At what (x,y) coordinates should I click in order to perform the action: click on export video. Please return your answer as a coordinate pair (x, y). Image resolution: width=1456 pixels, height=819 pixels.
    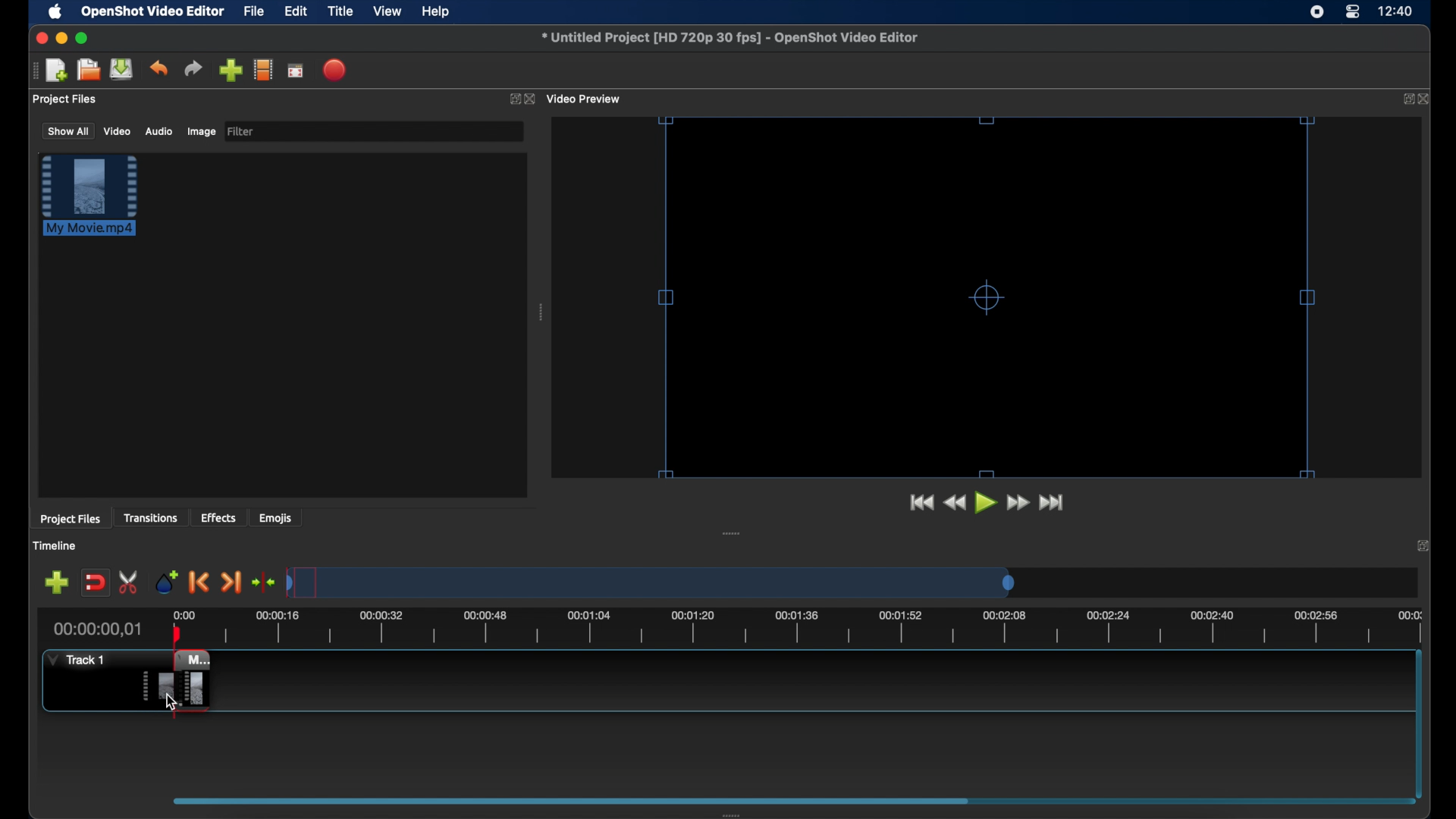
    Looking at the image, I should click on (336, 70).